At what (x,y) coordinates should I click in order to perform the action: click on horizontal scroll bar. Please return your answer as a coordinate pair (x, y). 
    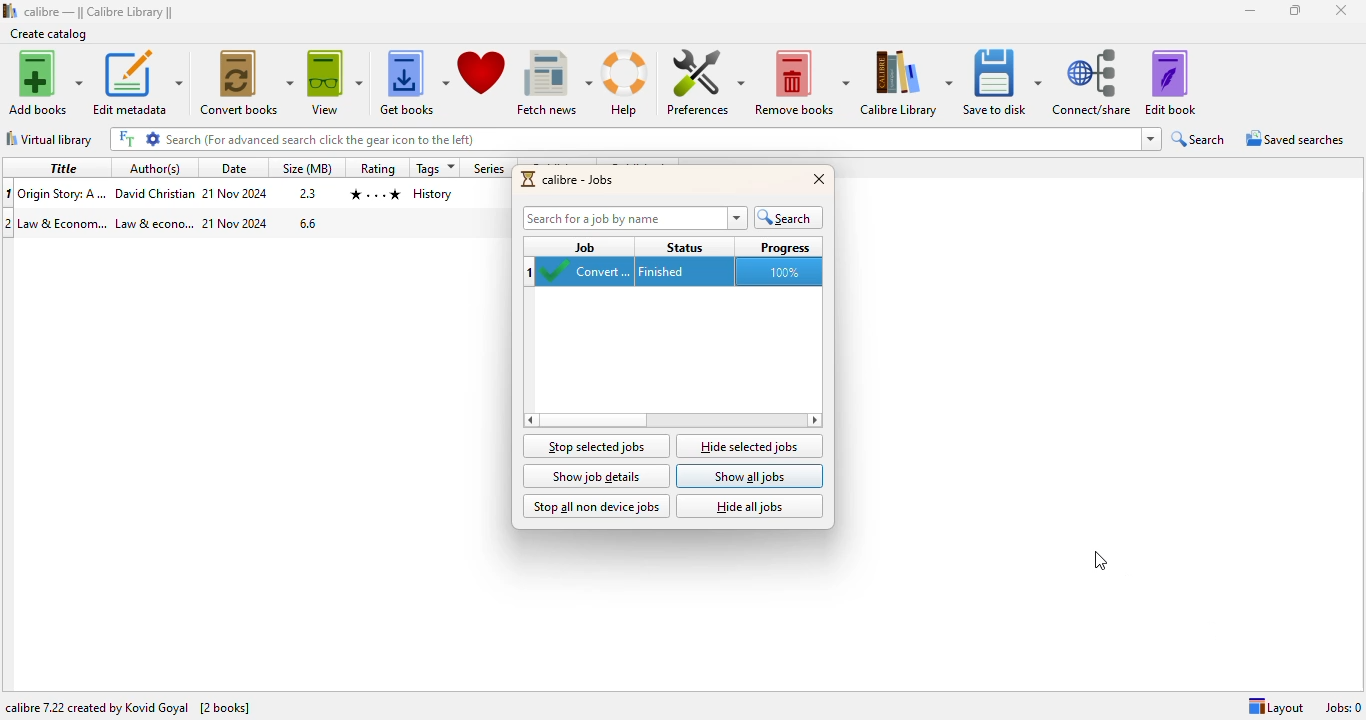
    Looking at the image, I should click on (593, 420).